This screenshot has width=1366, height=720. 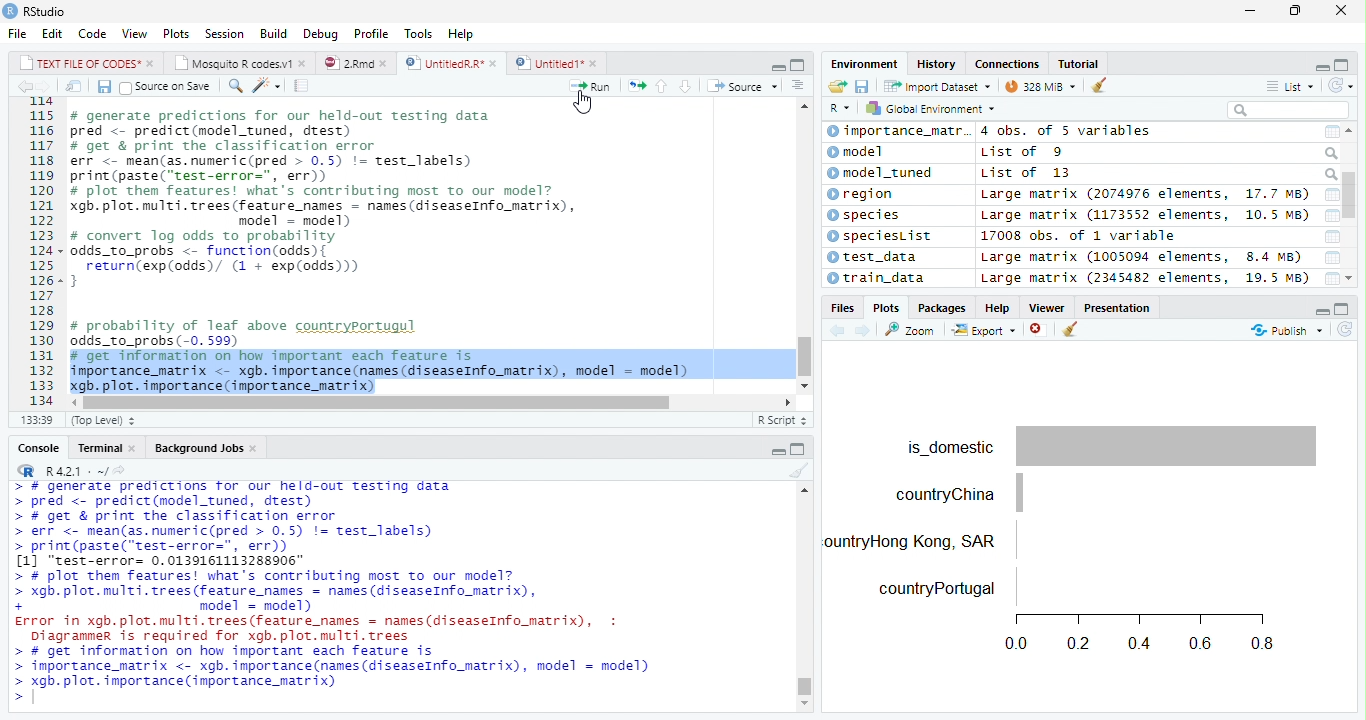 I want to click on Environment, so click(x=859, y=63).